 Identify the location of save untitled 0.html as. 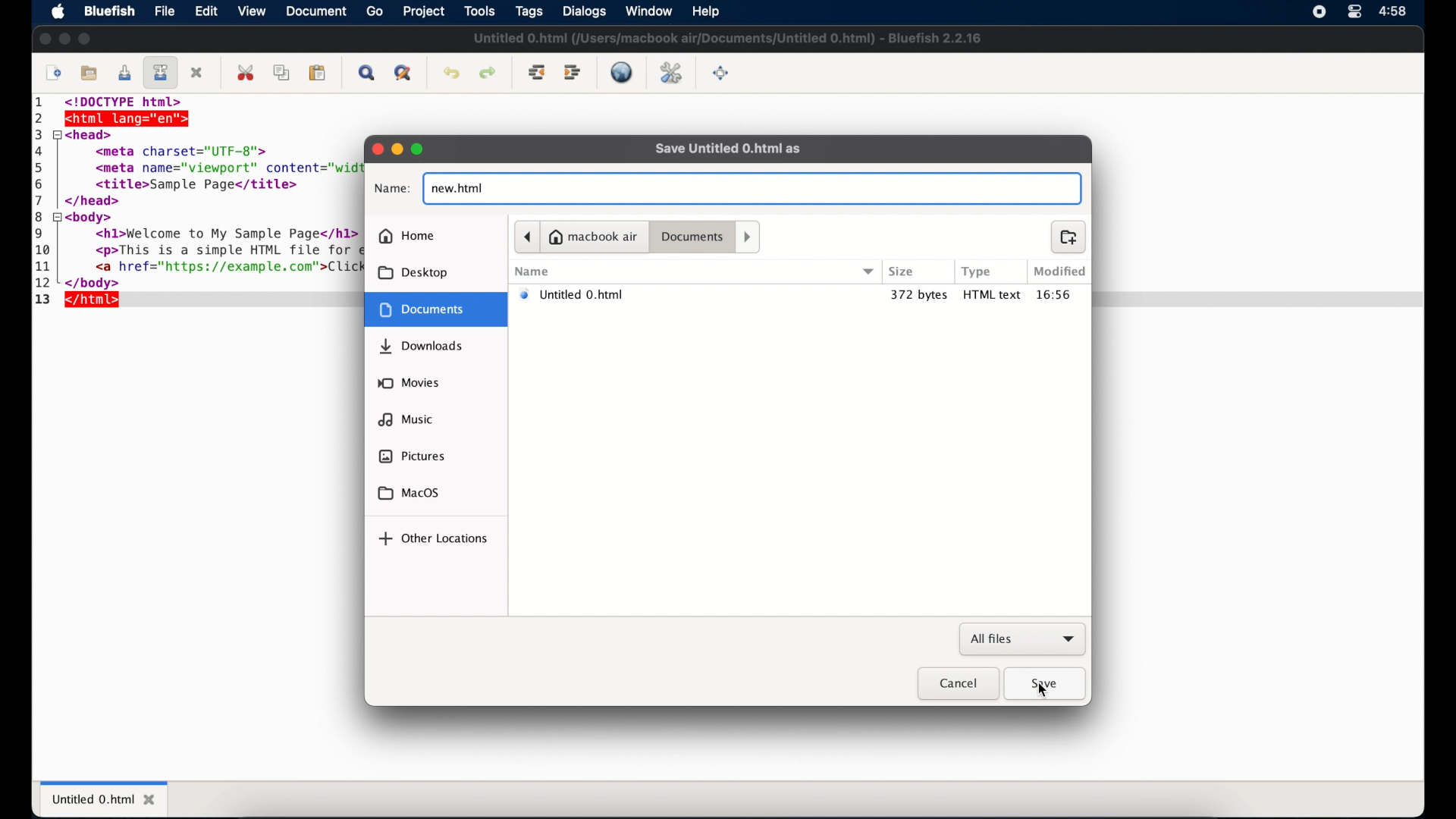
(728, 149).